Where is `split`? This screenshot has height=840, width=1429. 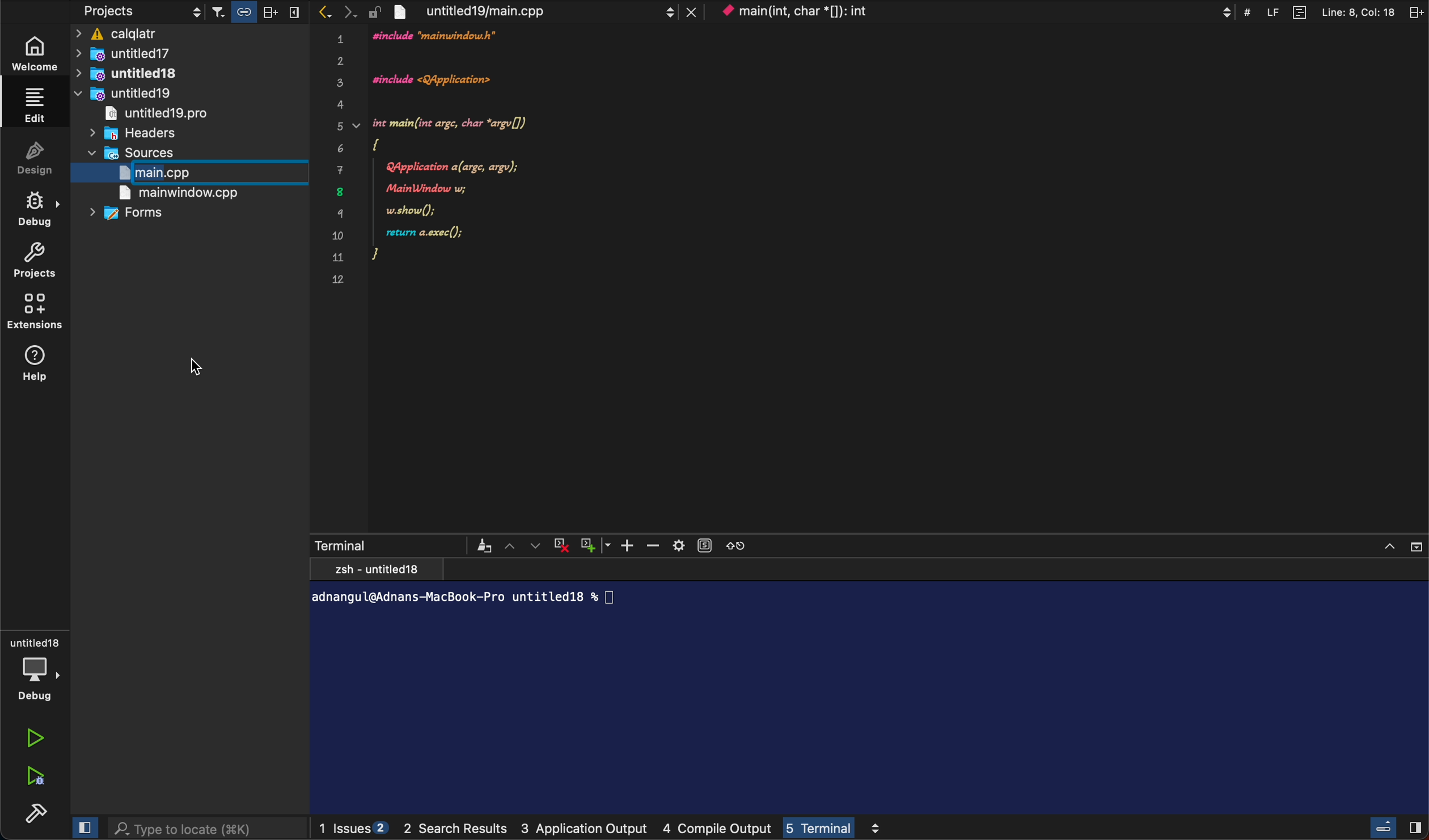
split is located at coordinates (1414, 11).